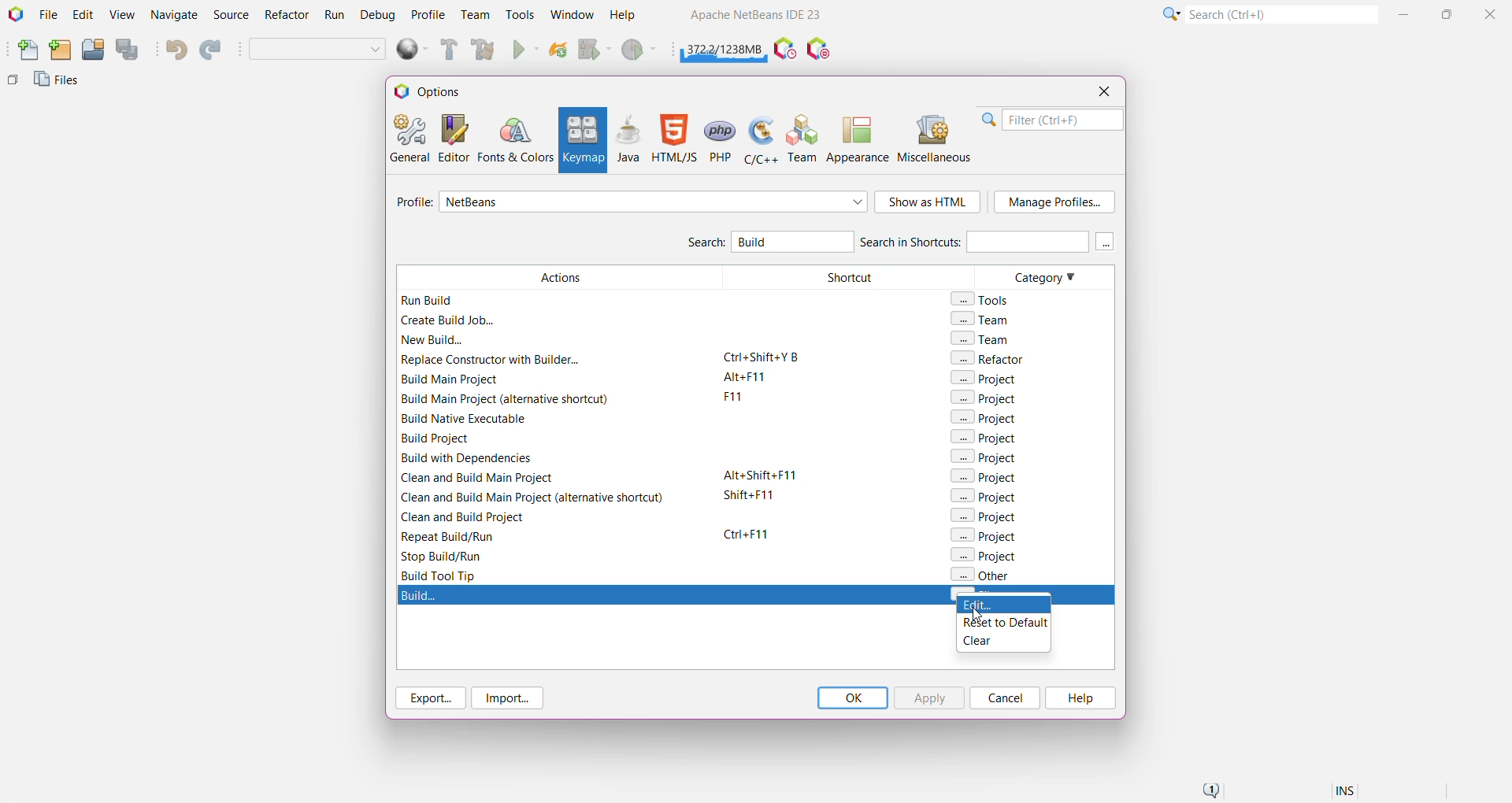  Describe the element at coordinates (858, 139) in the screenshot. I see `Appearance` at that location.